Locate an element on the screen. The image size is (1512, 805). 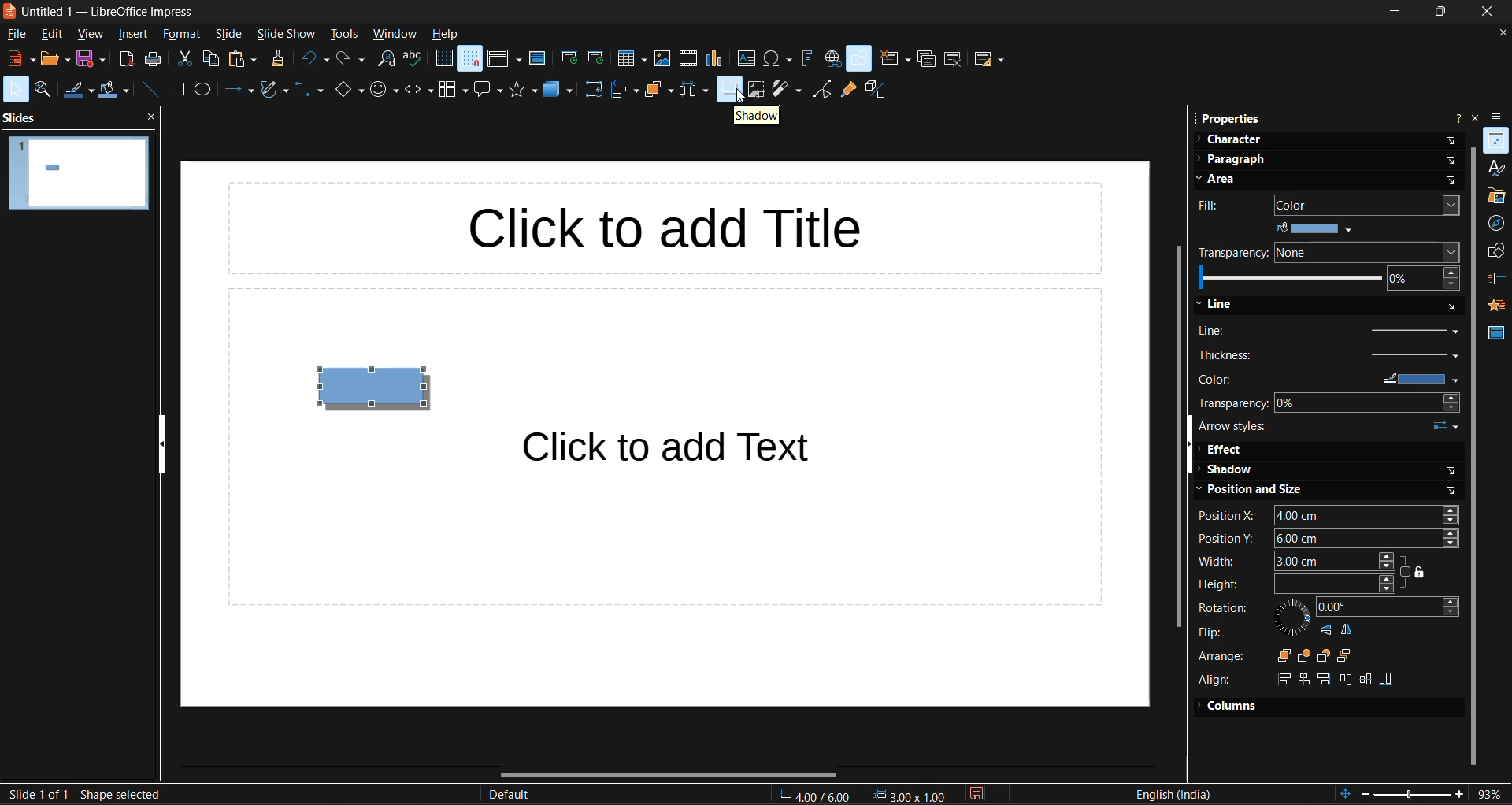
top is located at coordinates (1344, 679).